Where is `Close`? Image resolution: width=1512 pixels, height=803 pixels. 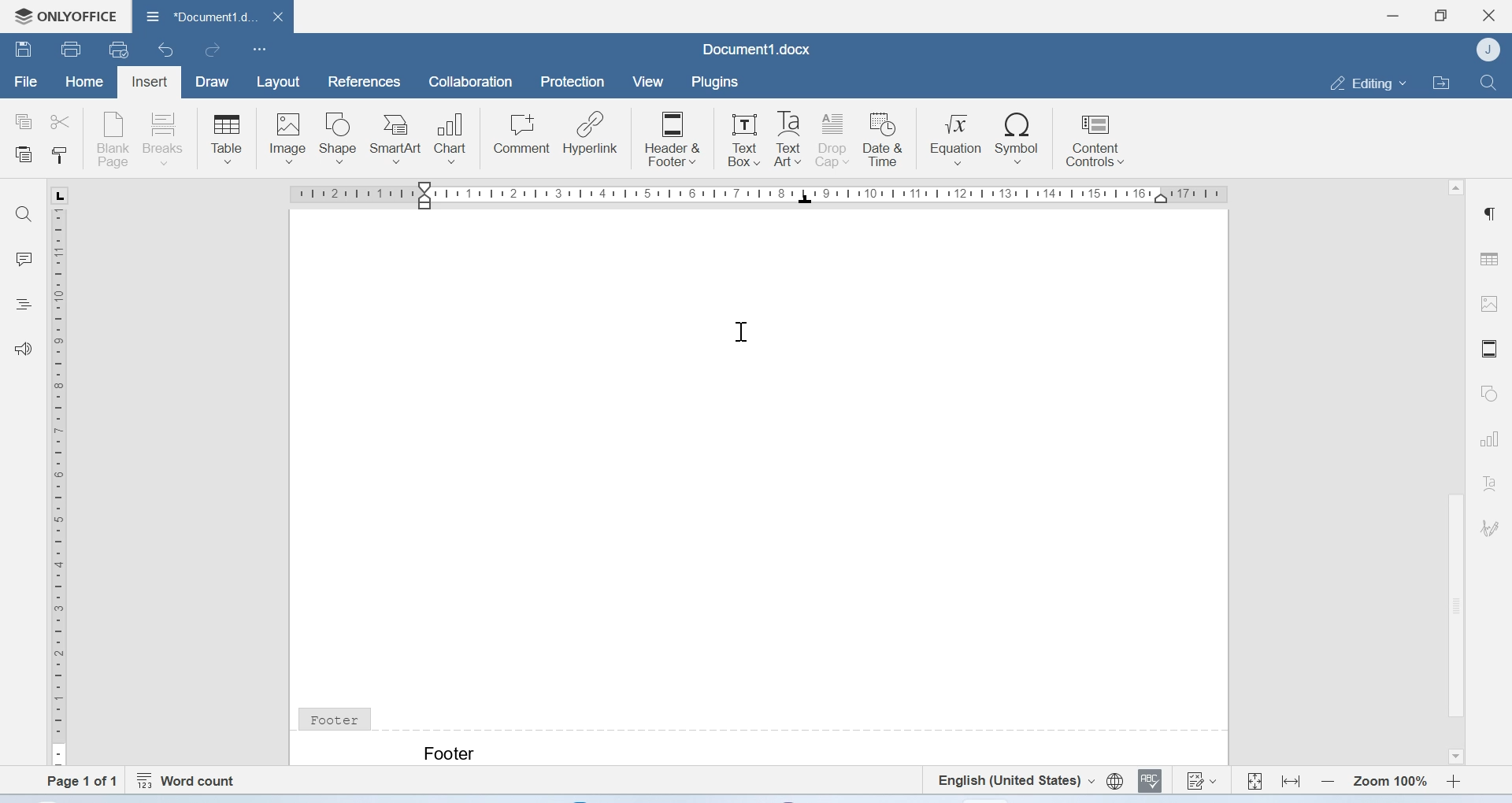
Close is located at coordinates (1489, 16).